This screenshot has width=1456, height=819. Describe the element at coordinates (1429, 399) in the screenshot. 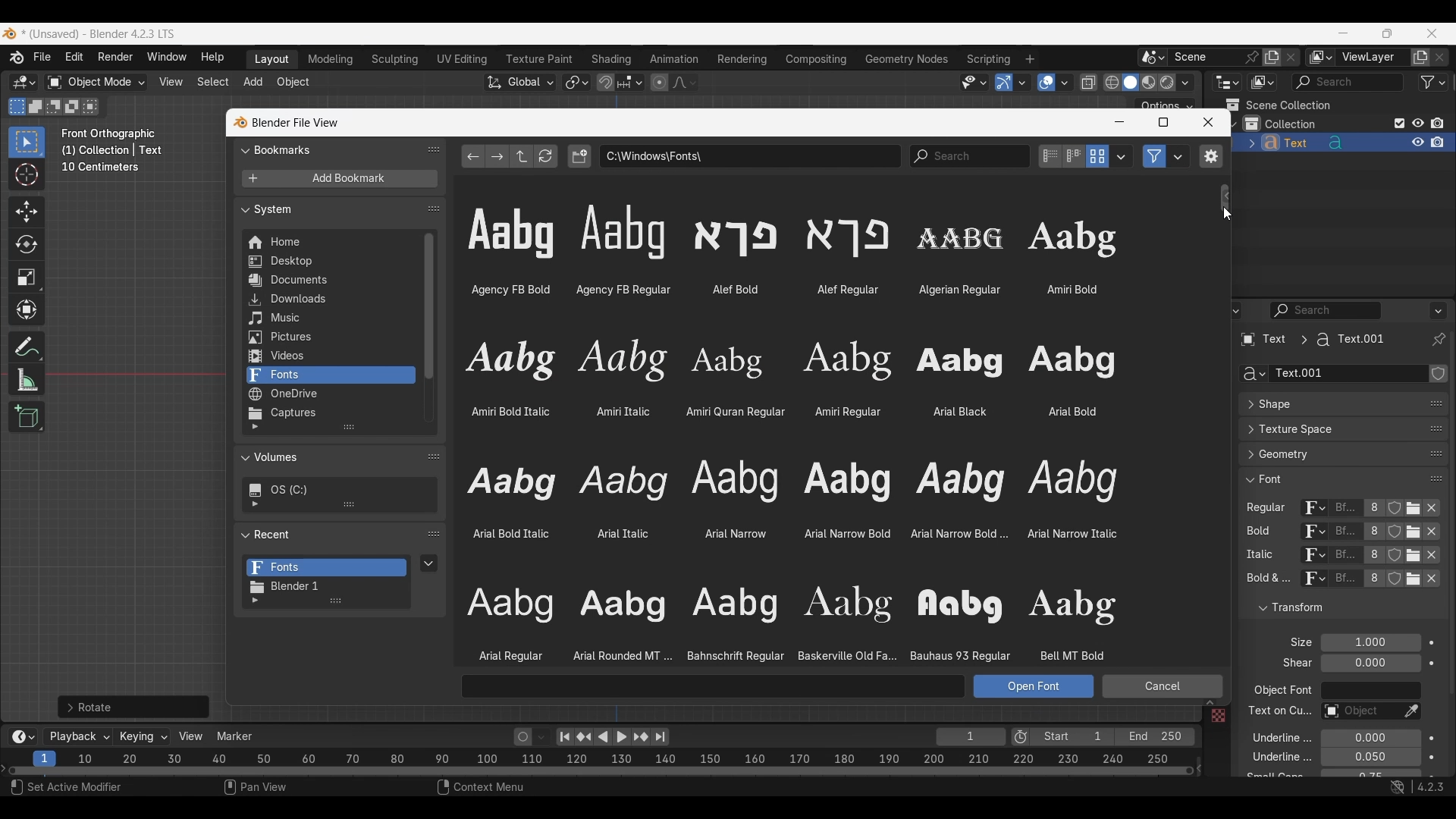

I see `Eyedropper data-block` at that location.